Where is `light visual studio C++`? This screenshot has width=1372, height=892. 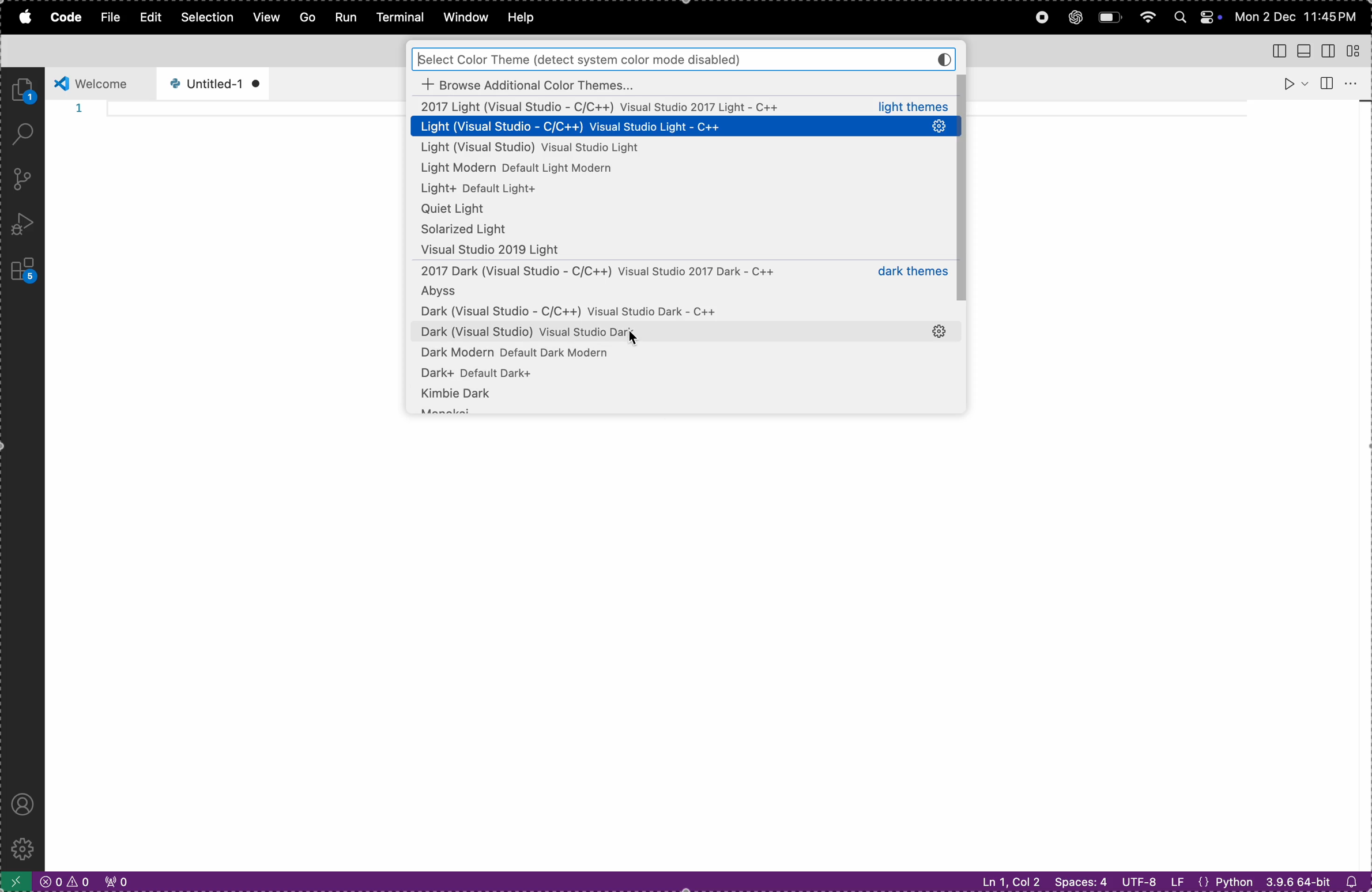
light visual studio C++ is located at coordinates (685, 127).